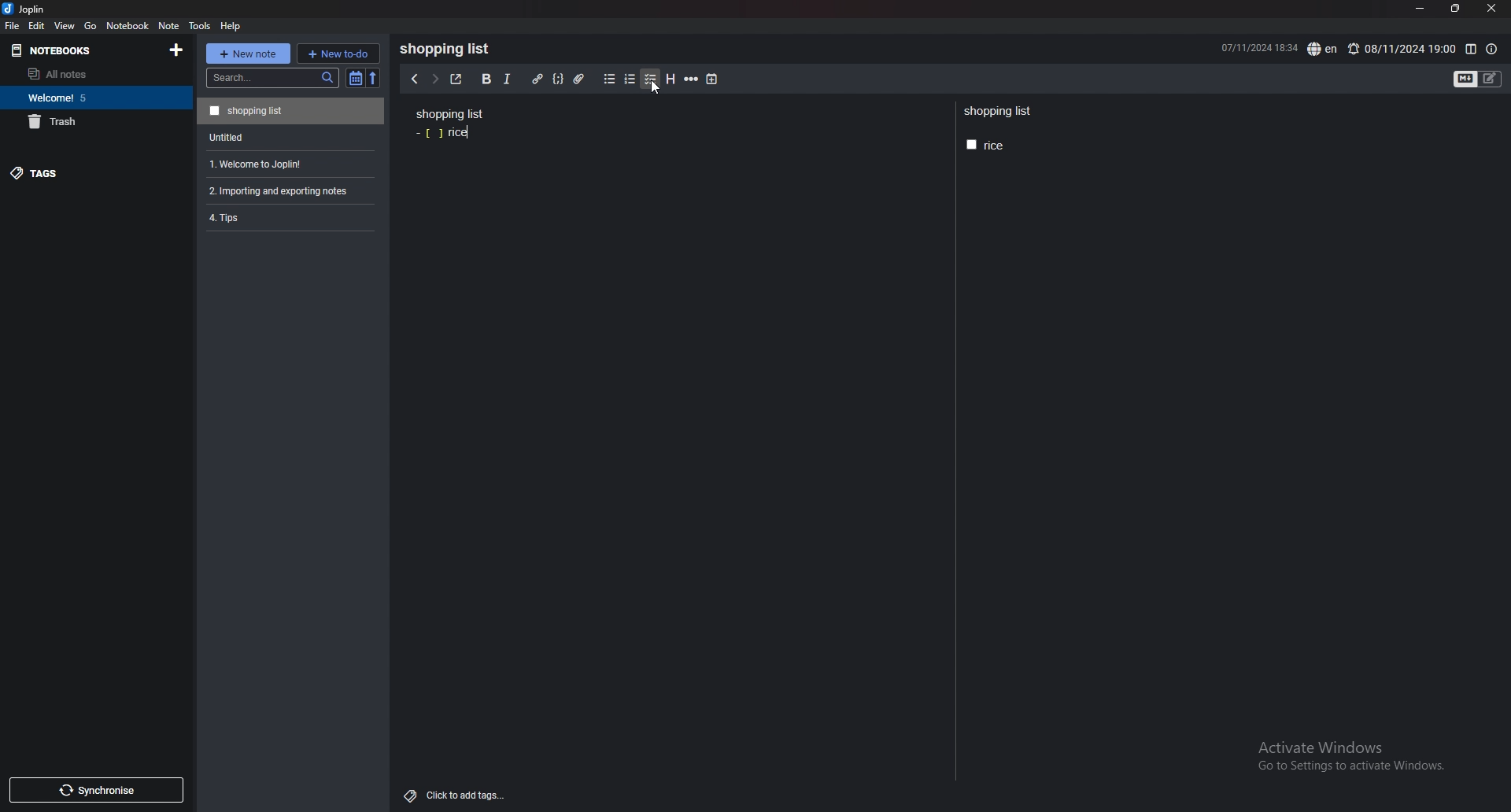  Describe the element at coordinates (1401, 49) in the screenshot. I see ` 08/11/2024 19:00` at that location.